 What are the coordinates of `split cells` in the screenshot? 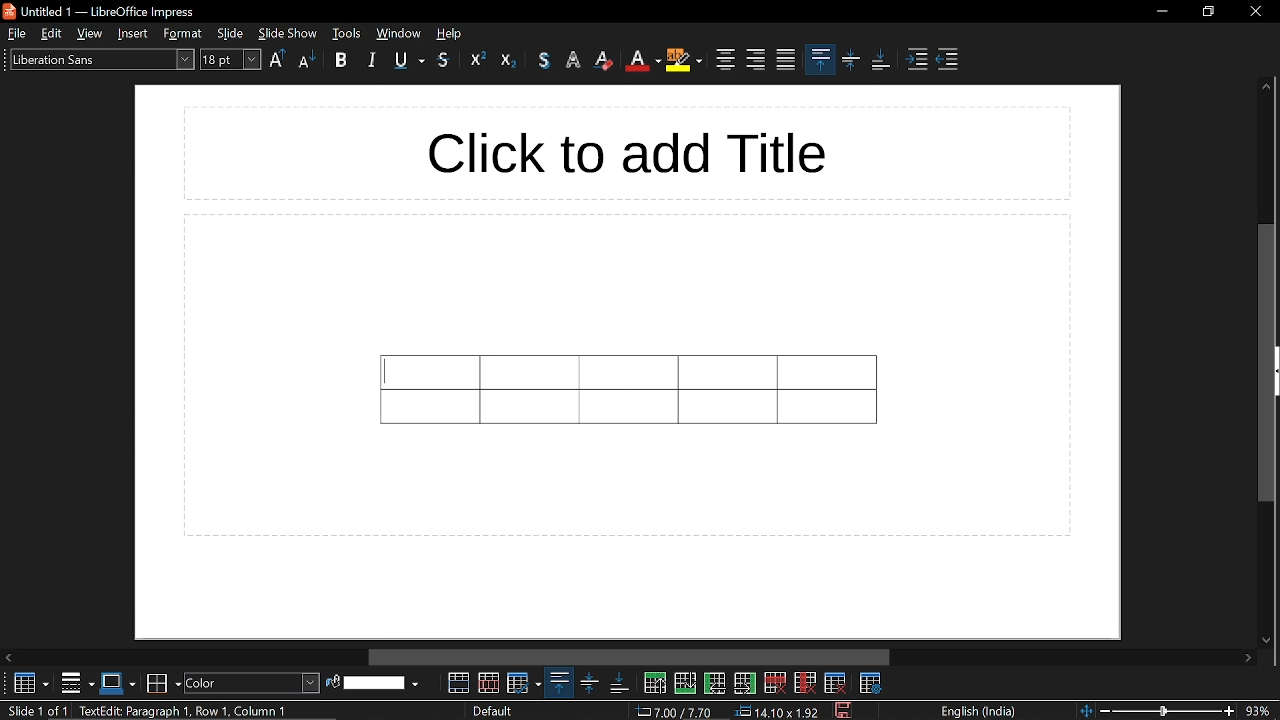 It's located at (489, 683).